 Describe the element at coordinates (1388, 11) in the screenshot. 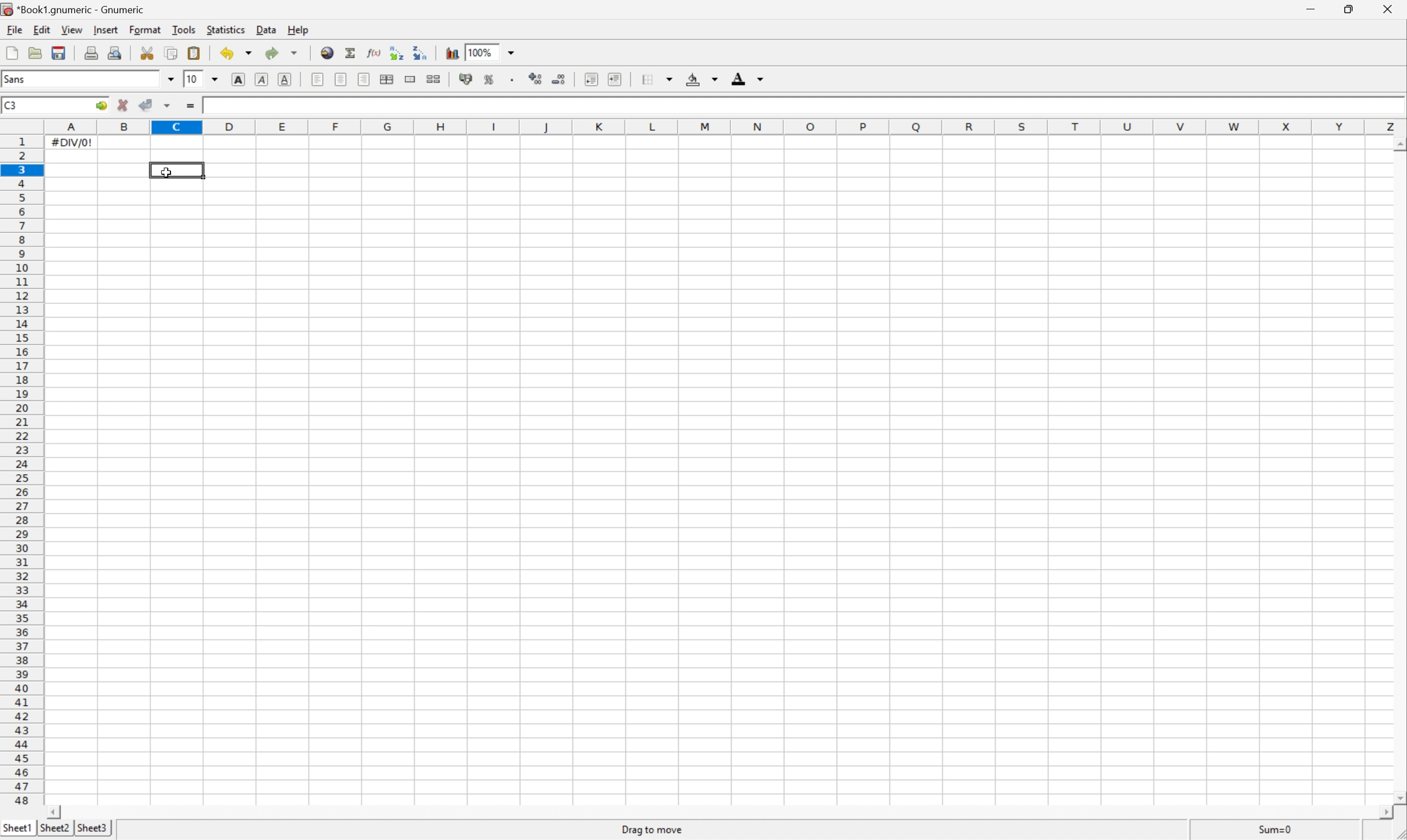

I see `close` at that location.